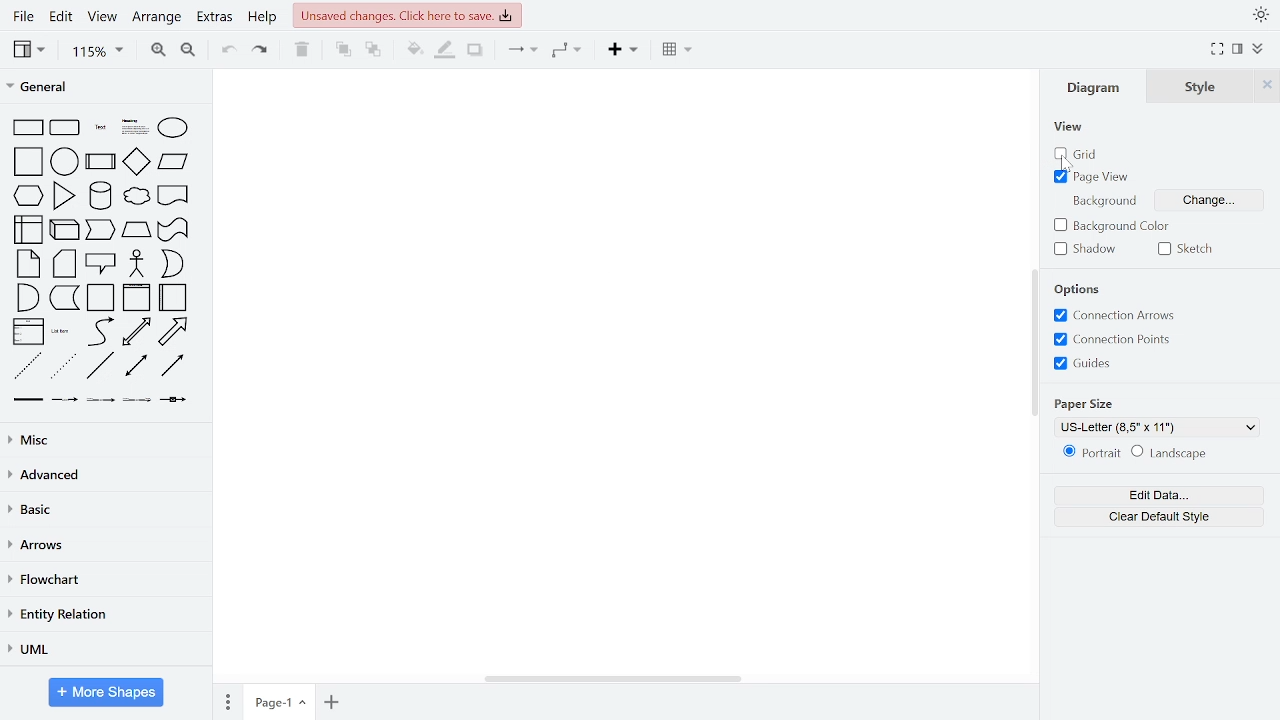 The width and height of the screenshot is (1280, 720). Describe the element at coordinates (65, 161) in the screenshot. I see `circle` at that location.